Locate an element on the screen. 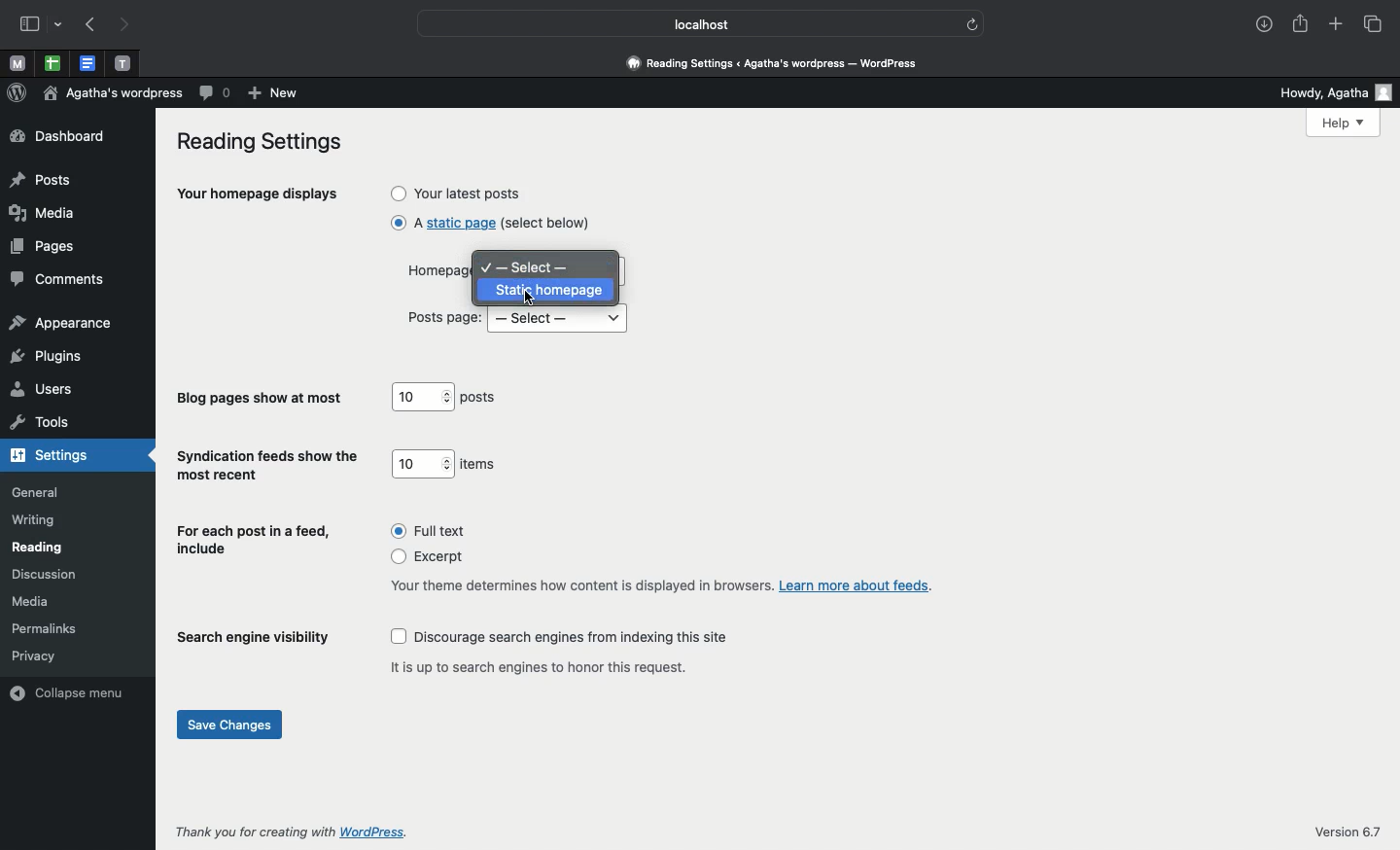 The image size is (1400, 850). refresh is located at coordinates (971, 24).